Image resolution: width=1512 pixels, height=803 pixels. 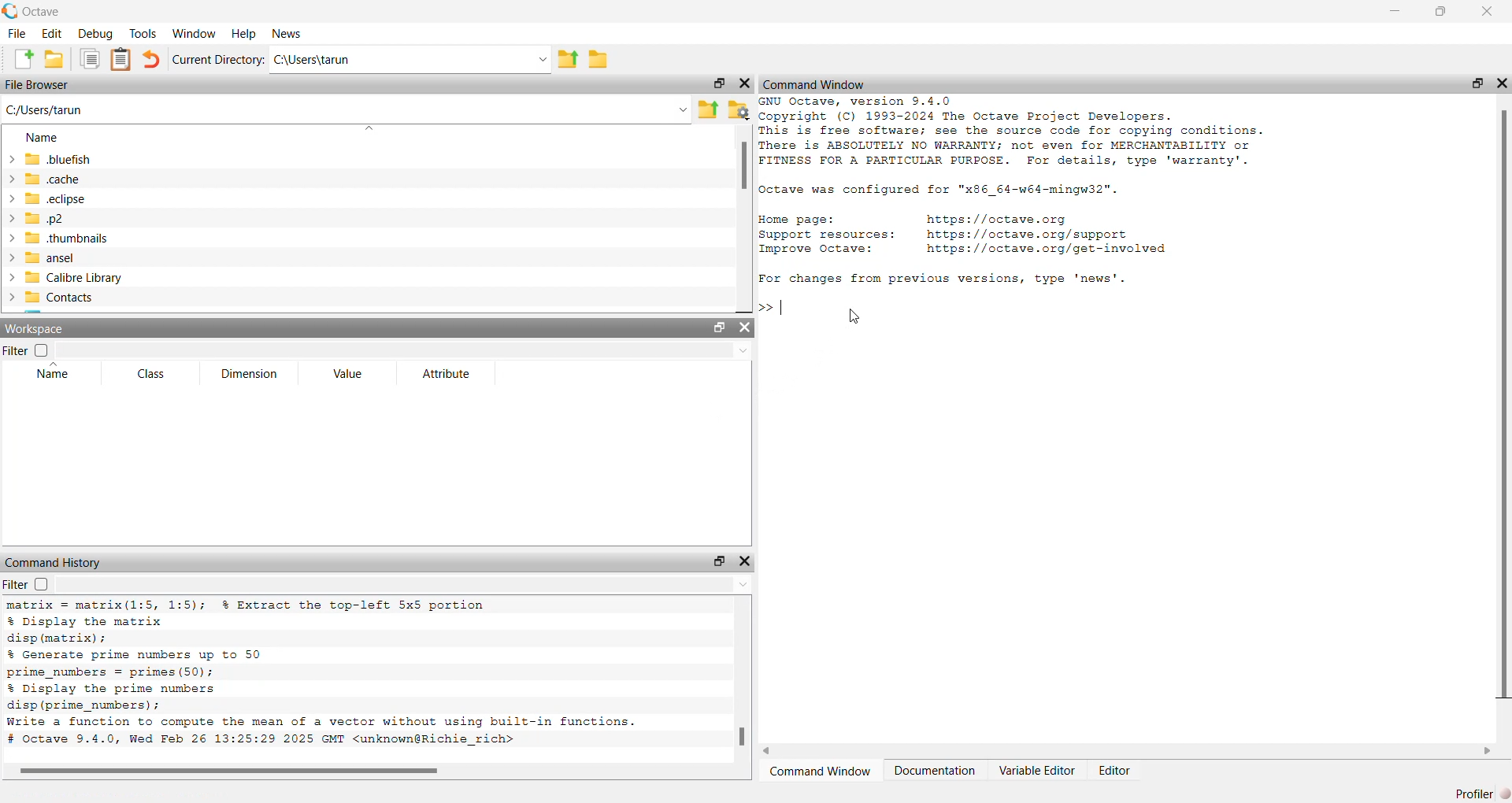 I want to click on GNU Octave, version 9.4.0

Copyright (C) 1993-2024 The Octave Project Developers.
This is free software; see the source code for copying conditions.
There is ABSOLUTELY NO WARRANTY; not even for MERCHANTABILITY or
FITNESS FOR A PARTICULAR PURPOSE. For details, type 'warranty'., so click(x=1011, y=132).